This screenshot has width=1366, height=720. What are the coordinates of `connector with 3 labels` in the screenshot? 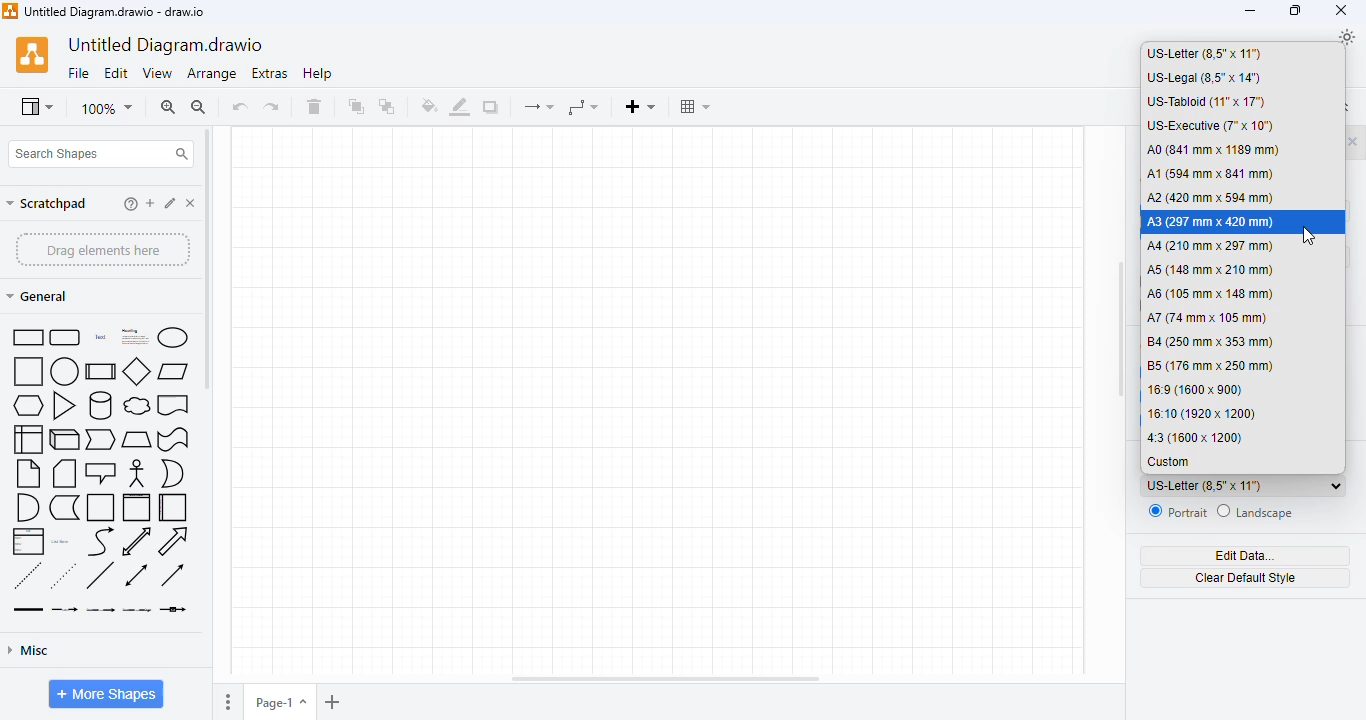 It's located at (137, 610).